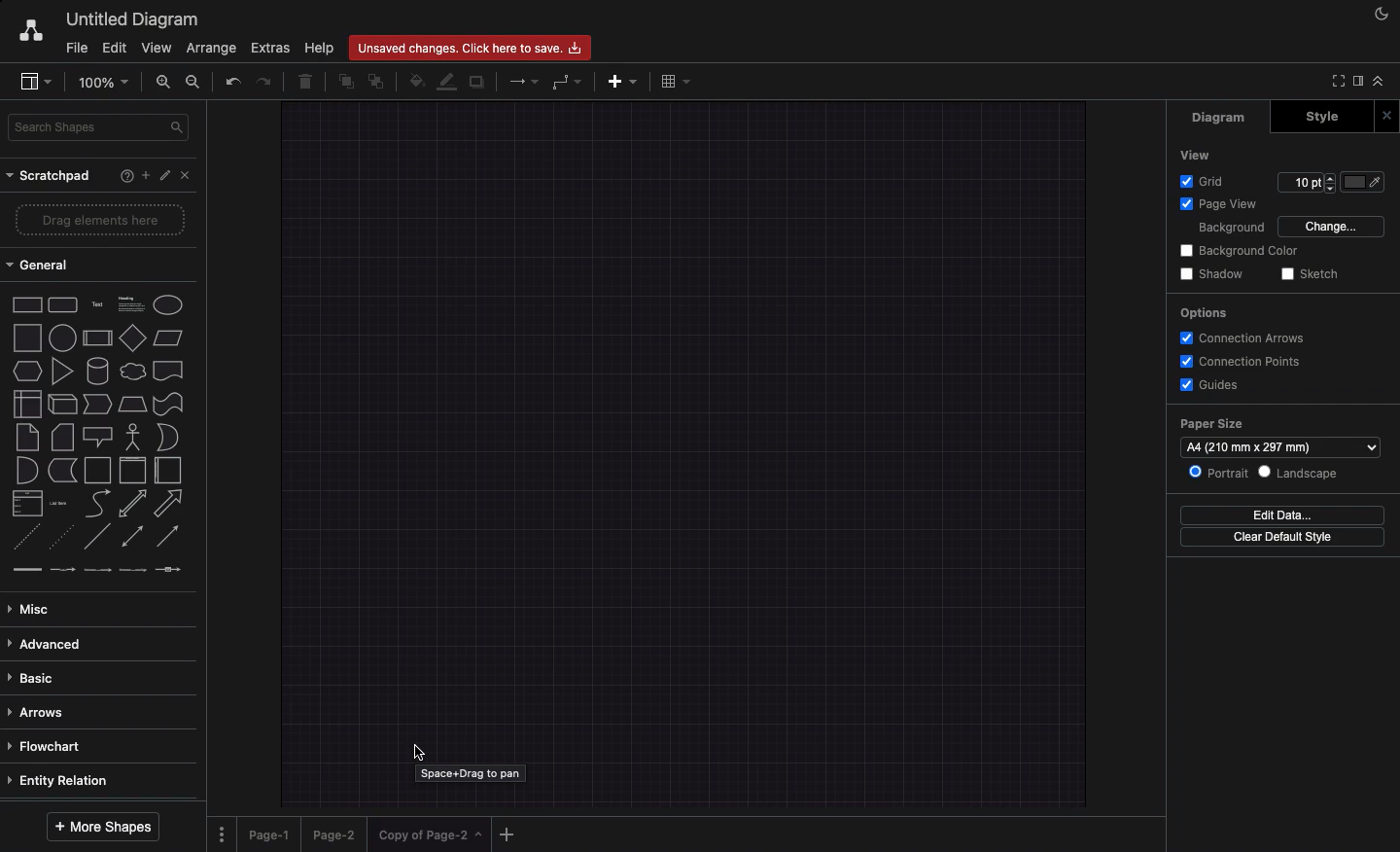 The height and width of the screenshot is (852, 1400). Describe the element at coordinates (193, 84) in the screenshot. I see `Zoom out` at that location.